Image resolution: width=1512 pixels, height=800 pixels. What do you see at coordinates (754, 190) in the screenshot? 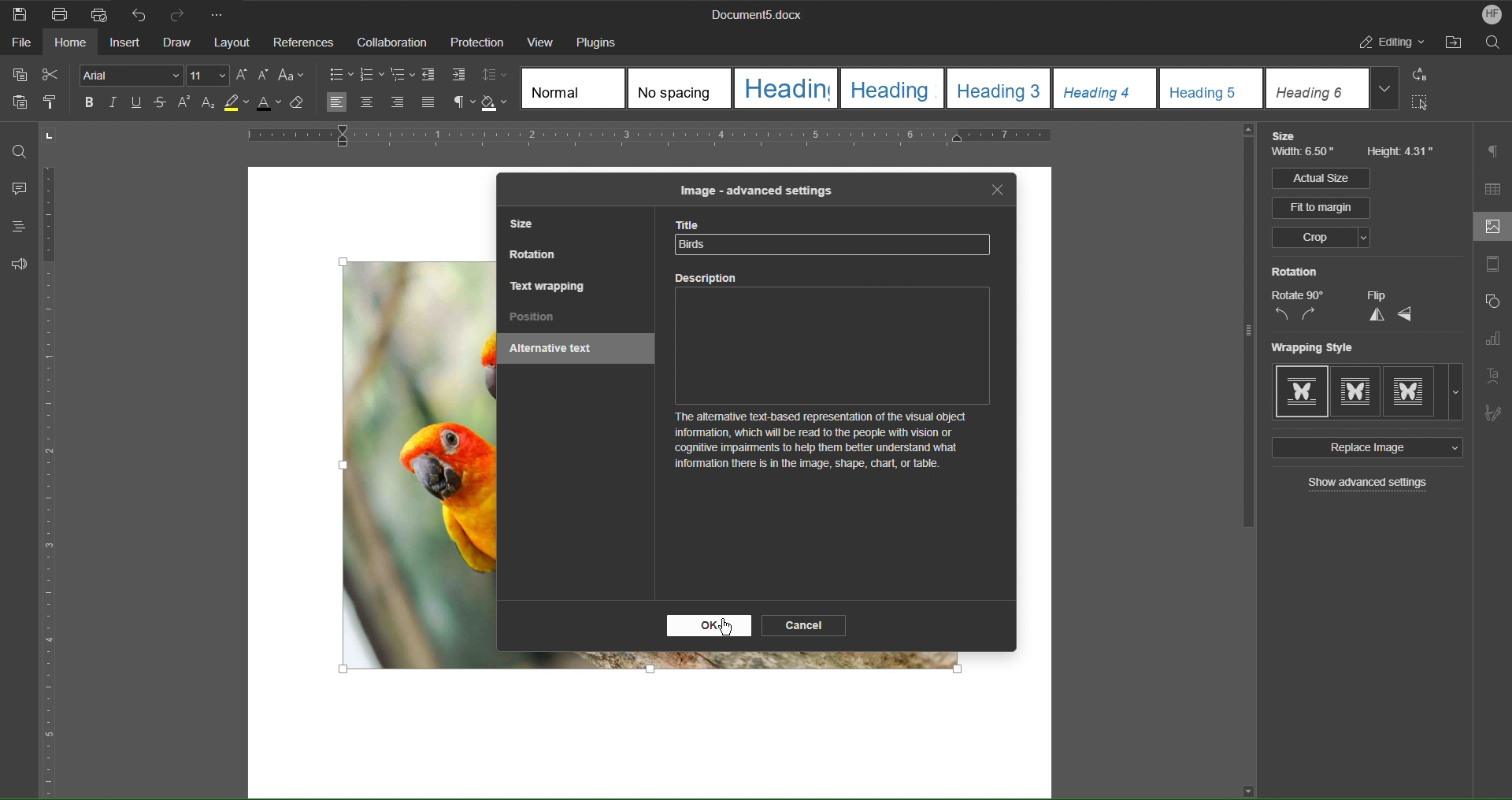
I see `Image - advanced settings` at bounding box center [754, 190].